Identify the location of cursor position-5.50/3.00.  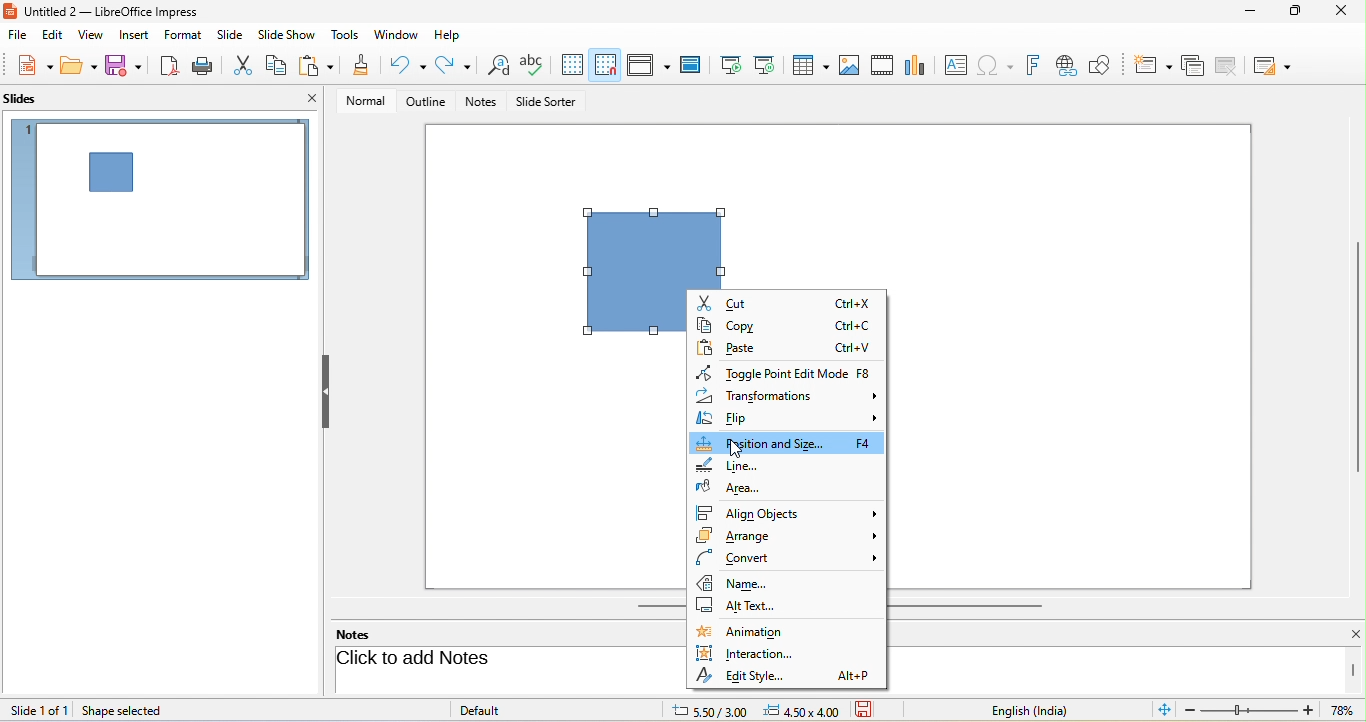
(698, 709).